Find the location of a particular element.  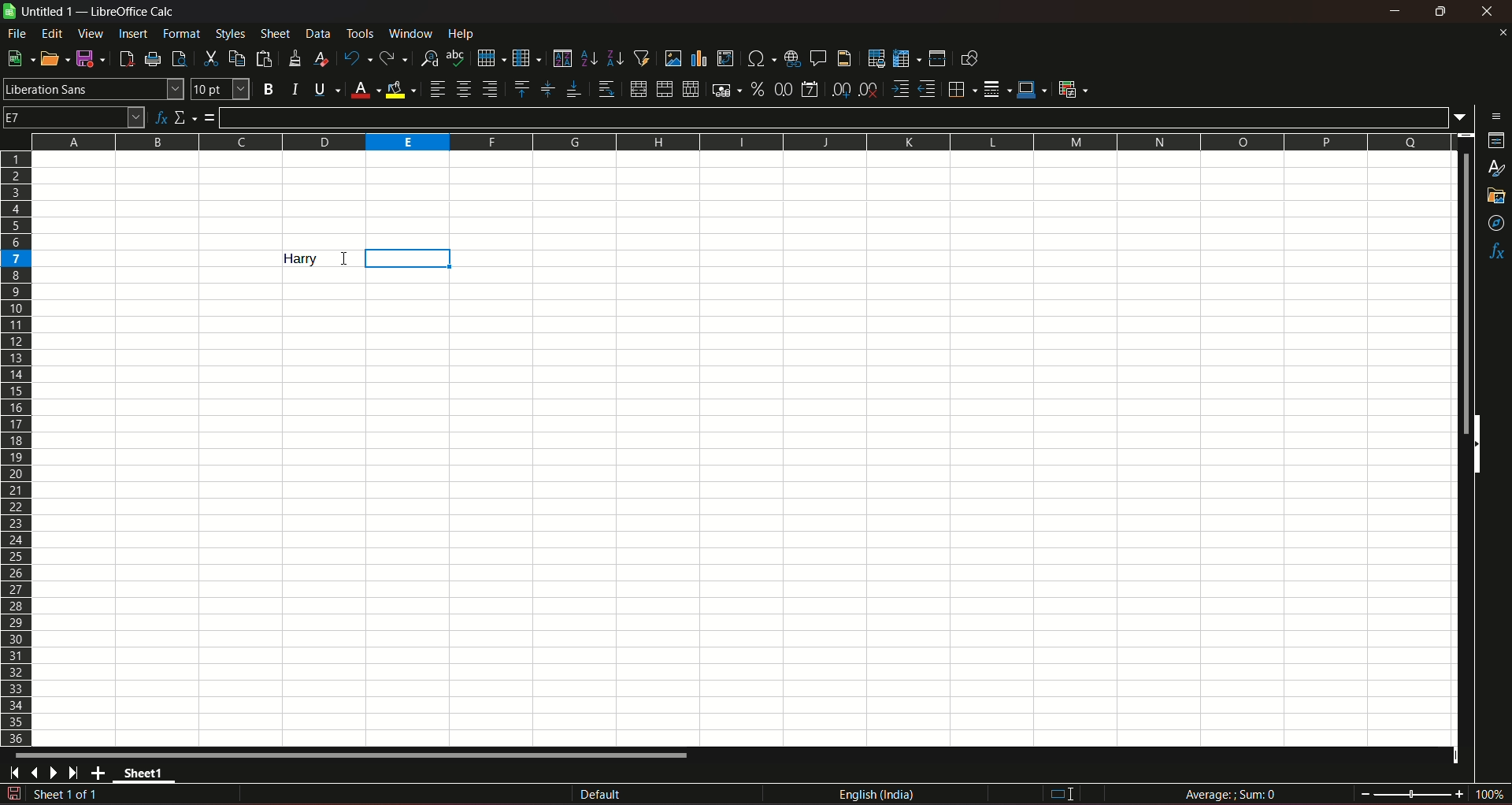

insert hyperlink is located at coordinates (790, 57).